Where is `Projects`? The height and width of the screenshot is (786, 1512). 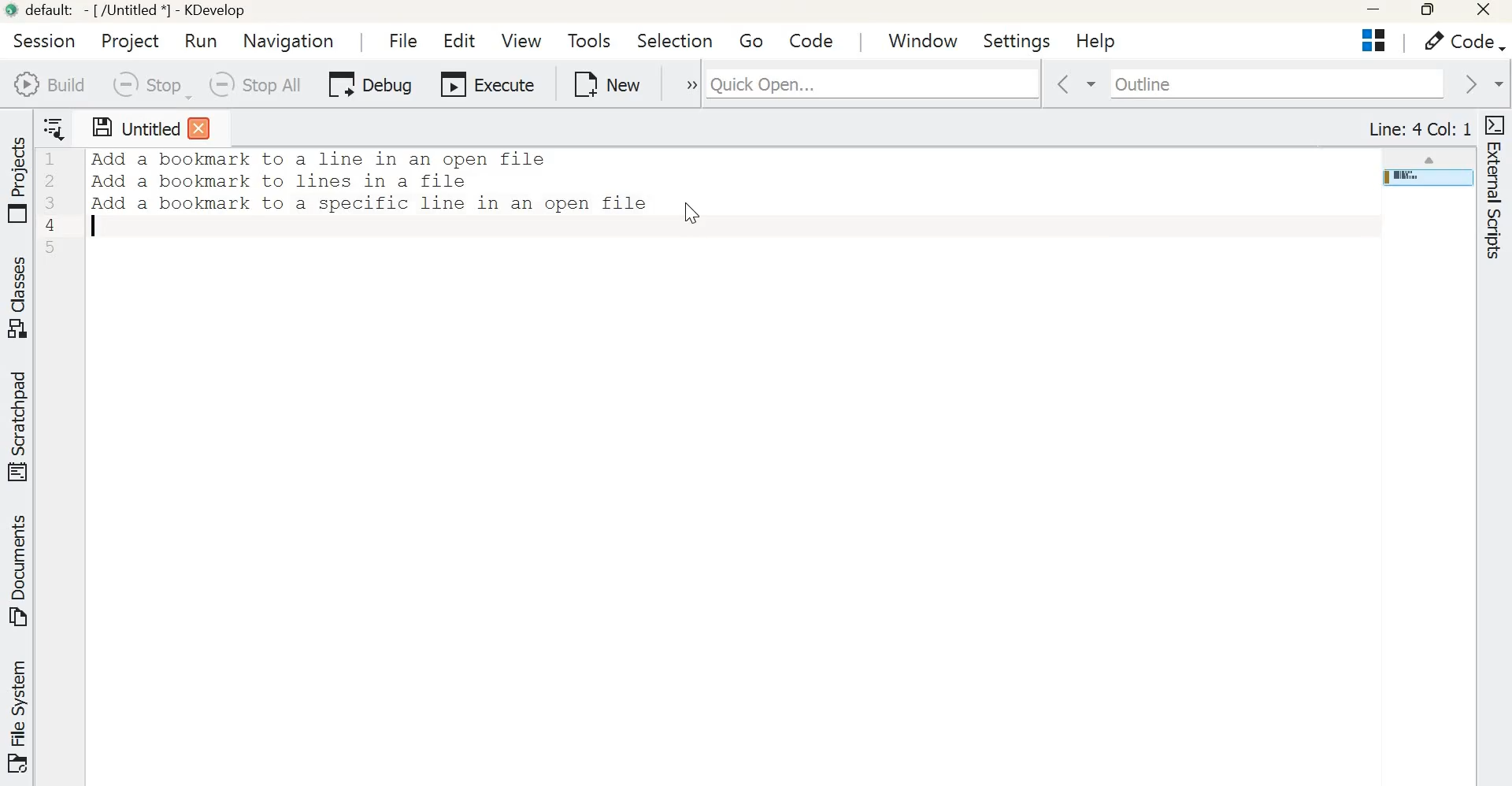 Projects is located at coordinates (18, 180).